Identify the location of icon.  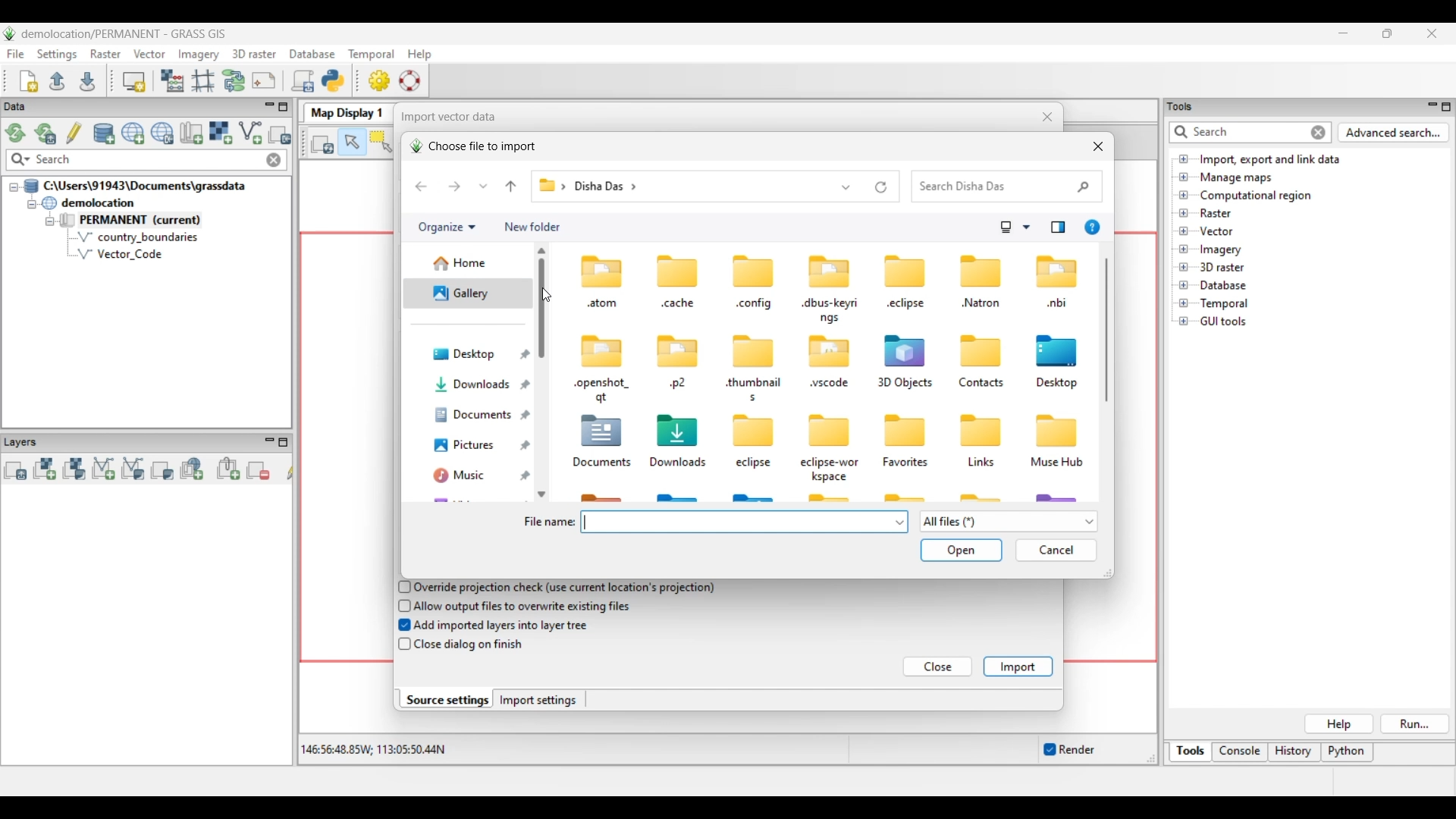
(830, 431).